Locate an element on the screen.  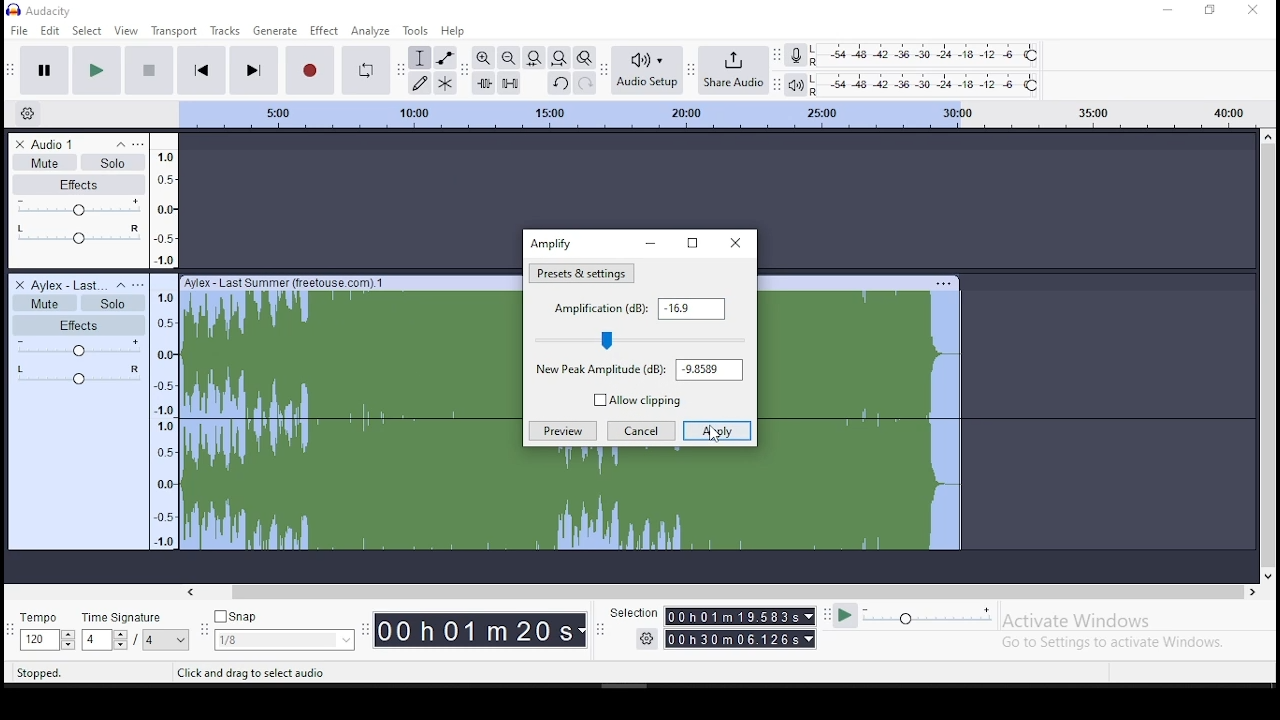
pan is located at coordinates (79, 235).